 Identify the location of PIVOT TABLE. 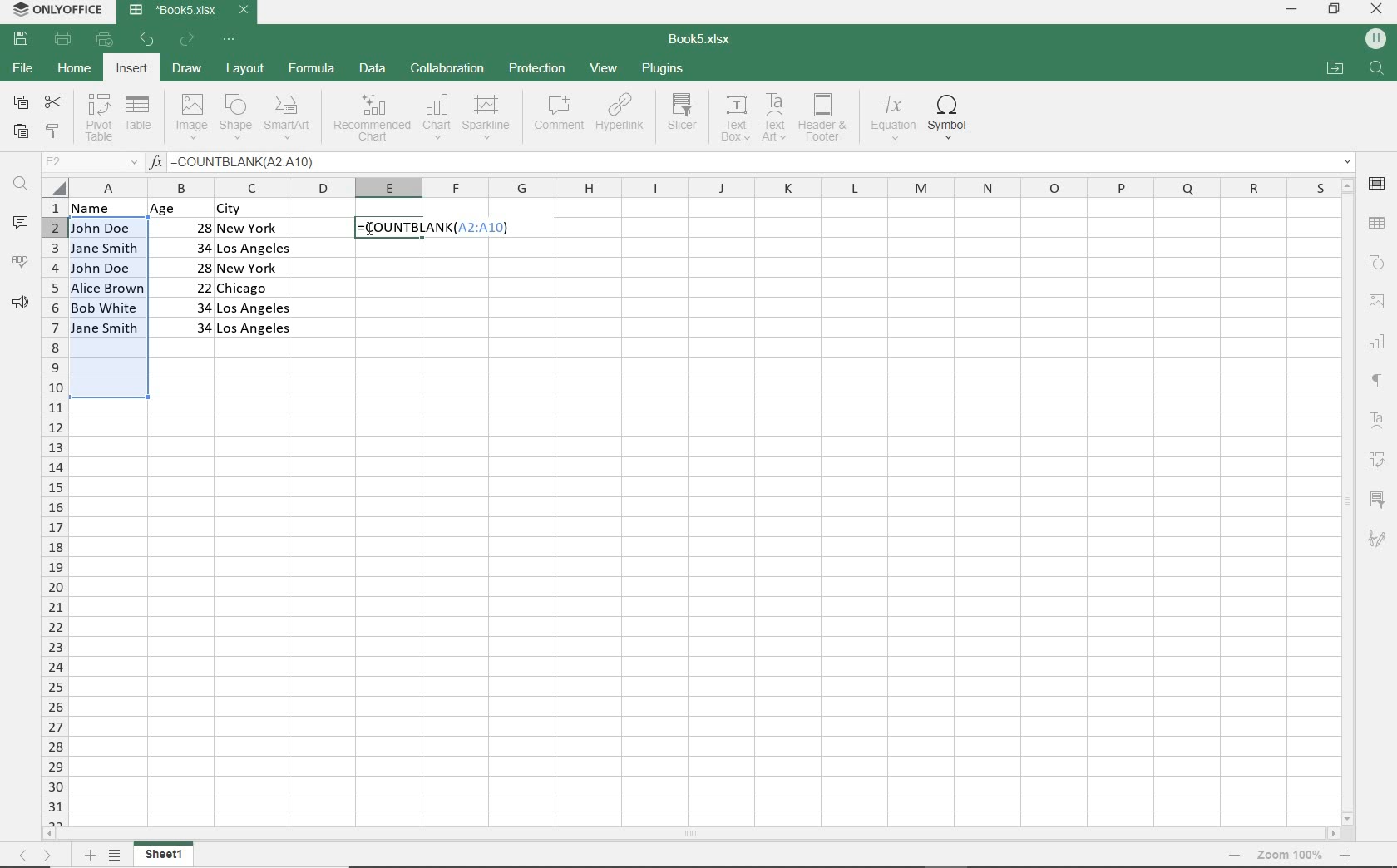
(1380, 457).